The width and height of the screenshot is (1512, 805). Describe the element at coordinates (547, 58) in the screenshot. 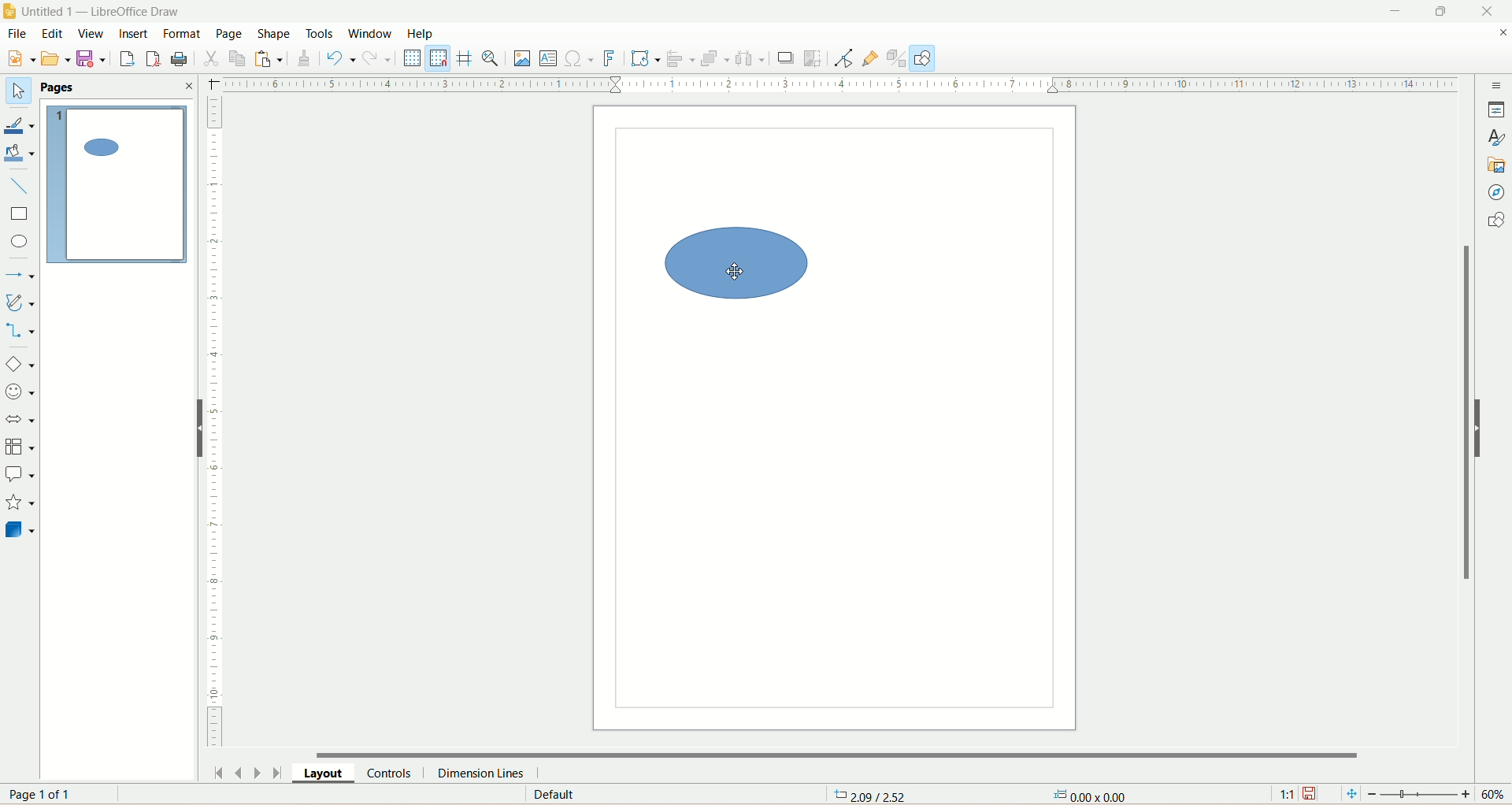

I see `insert textbox` at that location.